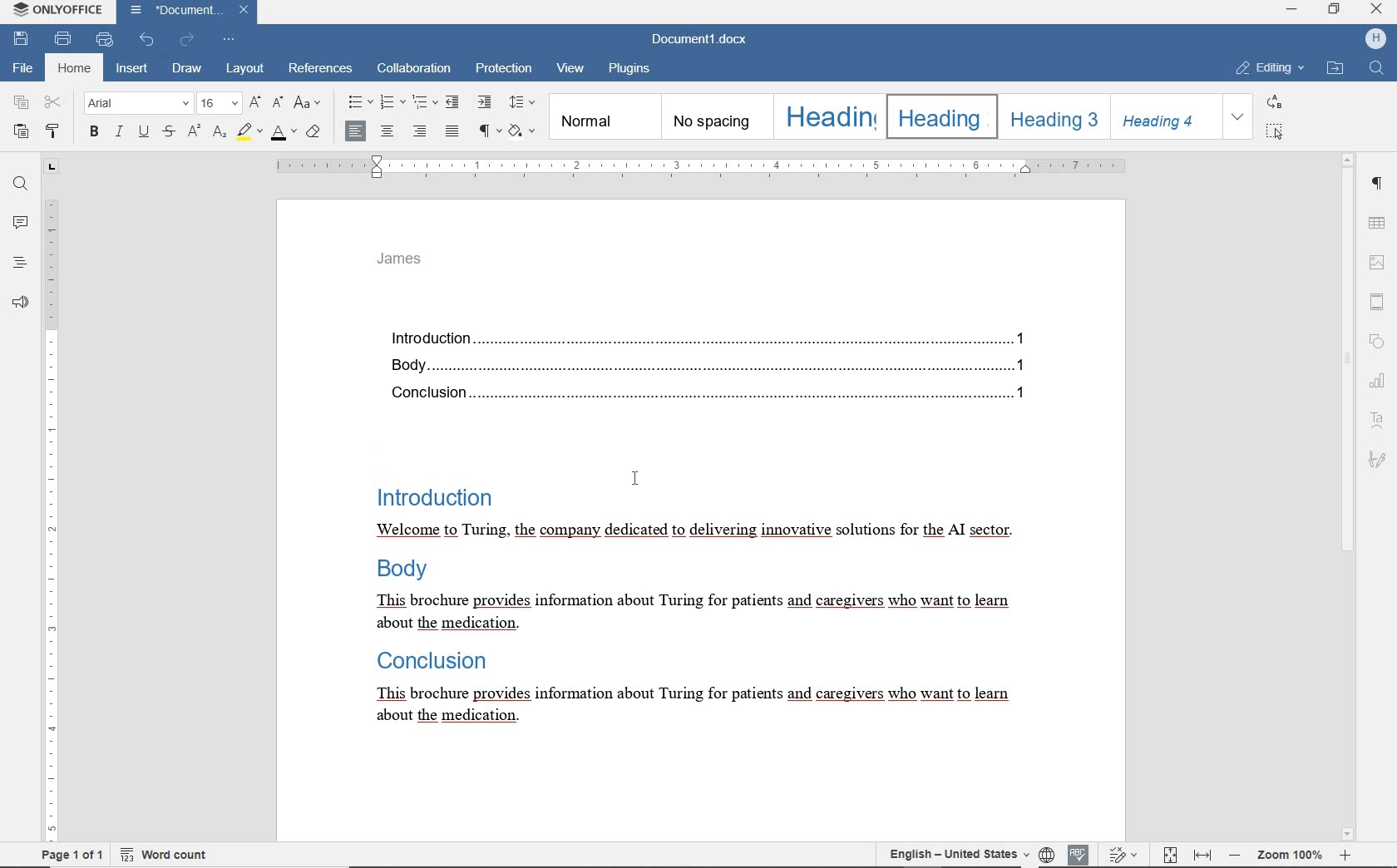 Image resolution: width=1397 pixels, height=868 pixels. Describe the element at coordinates (1165, 116) in the screenshot. I see `Heading 4` at that location.